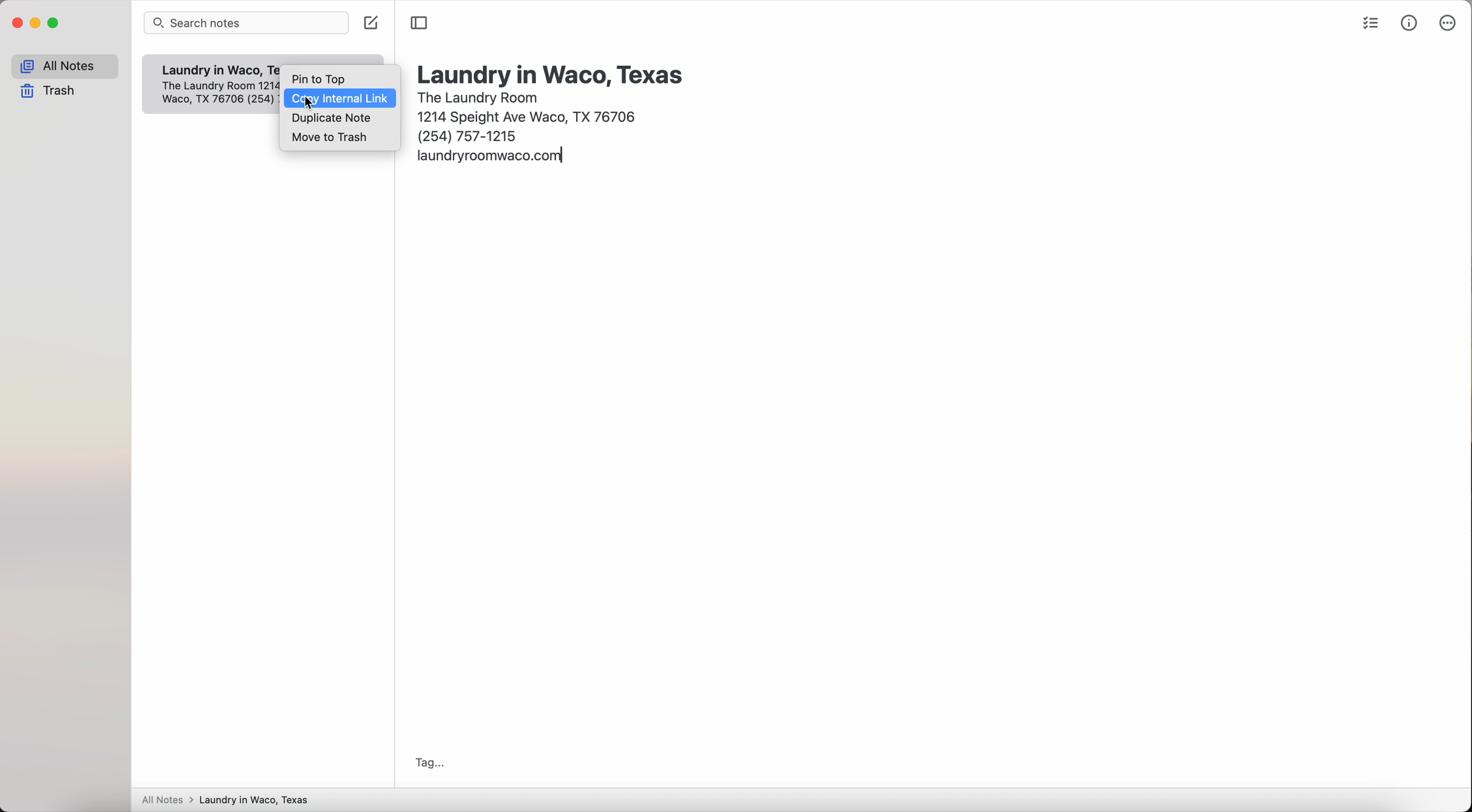 The image size is (1472, 812). What do you see at coordinates (426, 763) in the screenshot?
I see `tag` at bounding box center [426, 763].